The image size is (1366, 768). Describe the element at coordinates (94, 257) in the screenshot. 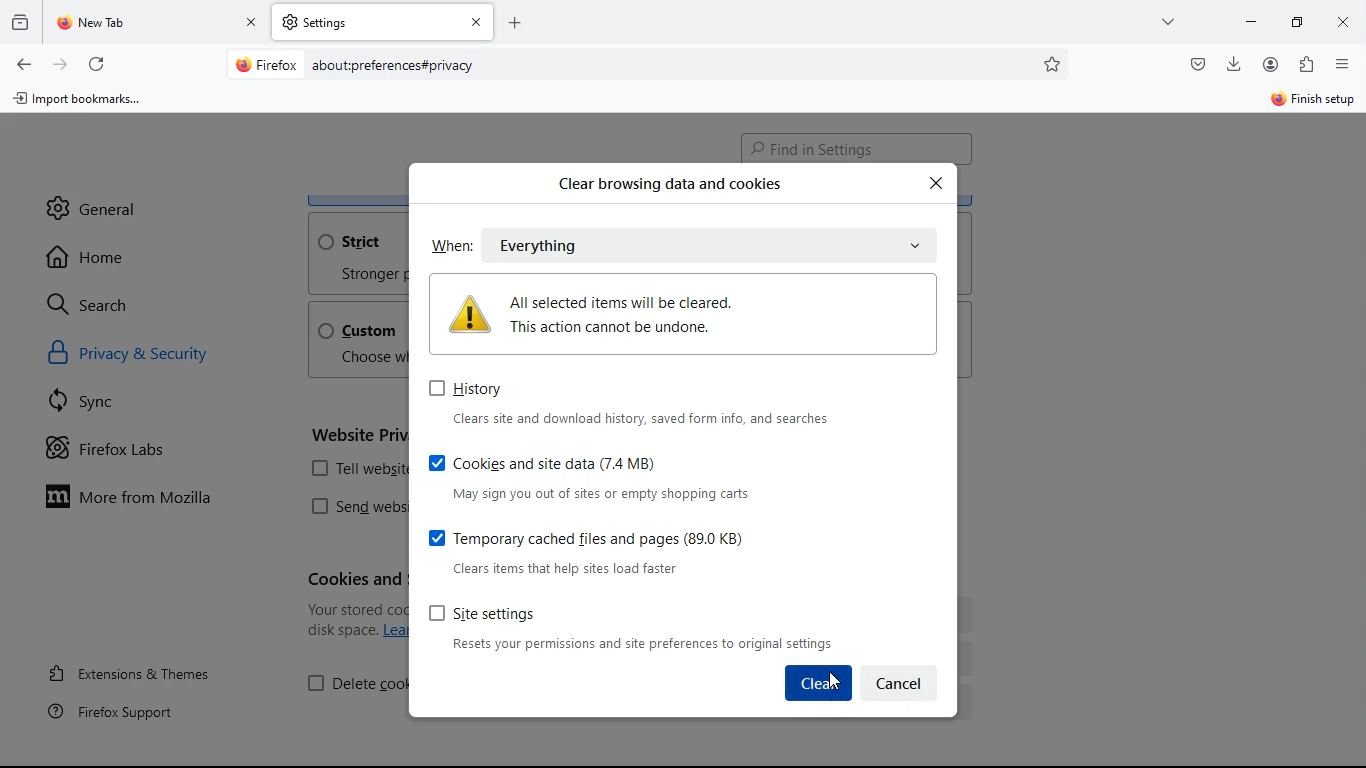

I see `home` at that location.